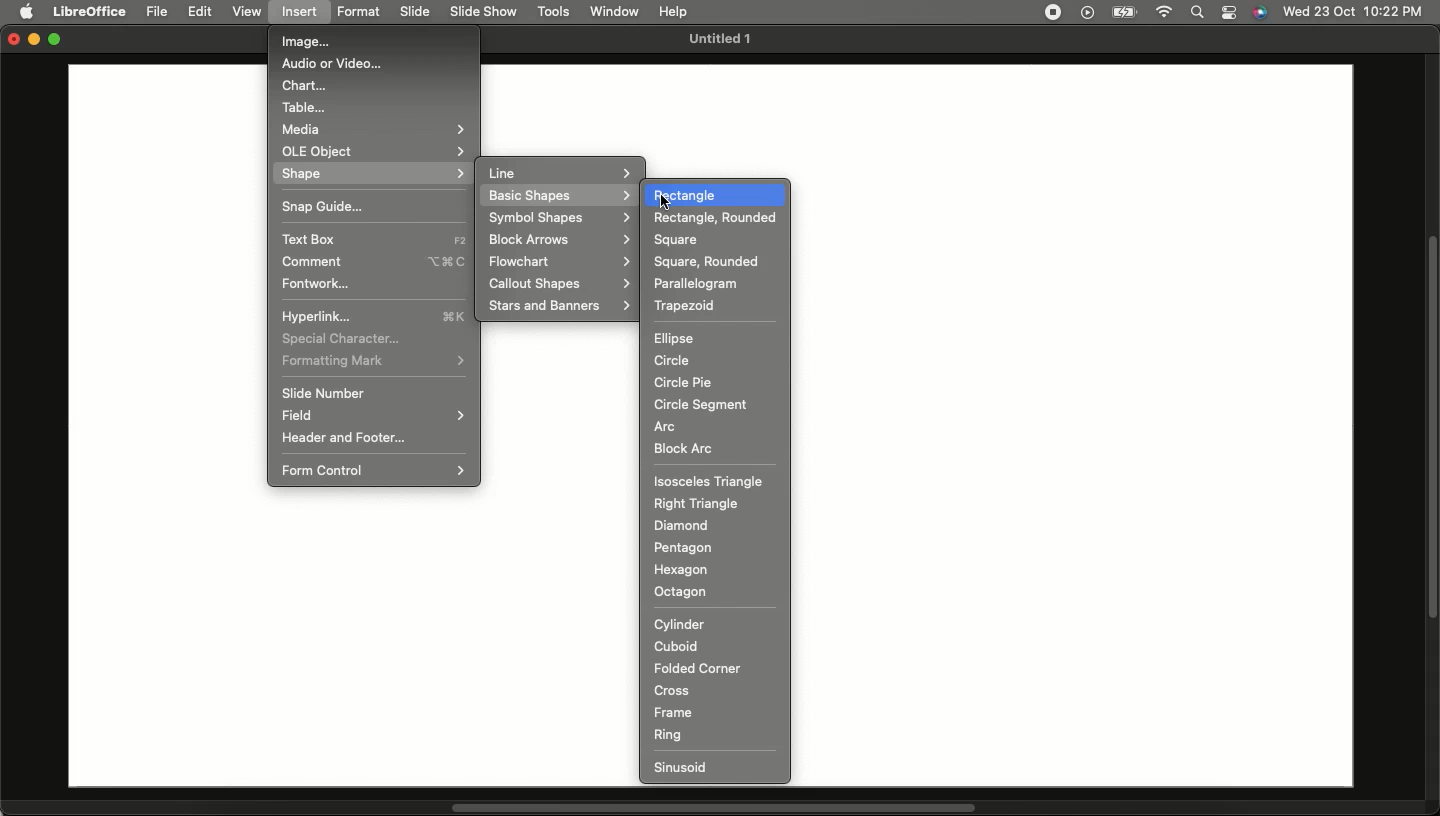 Image resolution: width=1440 pixels, height=816 pixels. Describe the element at coordinates (684, 525) in the screenshot. I see `Diamond` at that location.